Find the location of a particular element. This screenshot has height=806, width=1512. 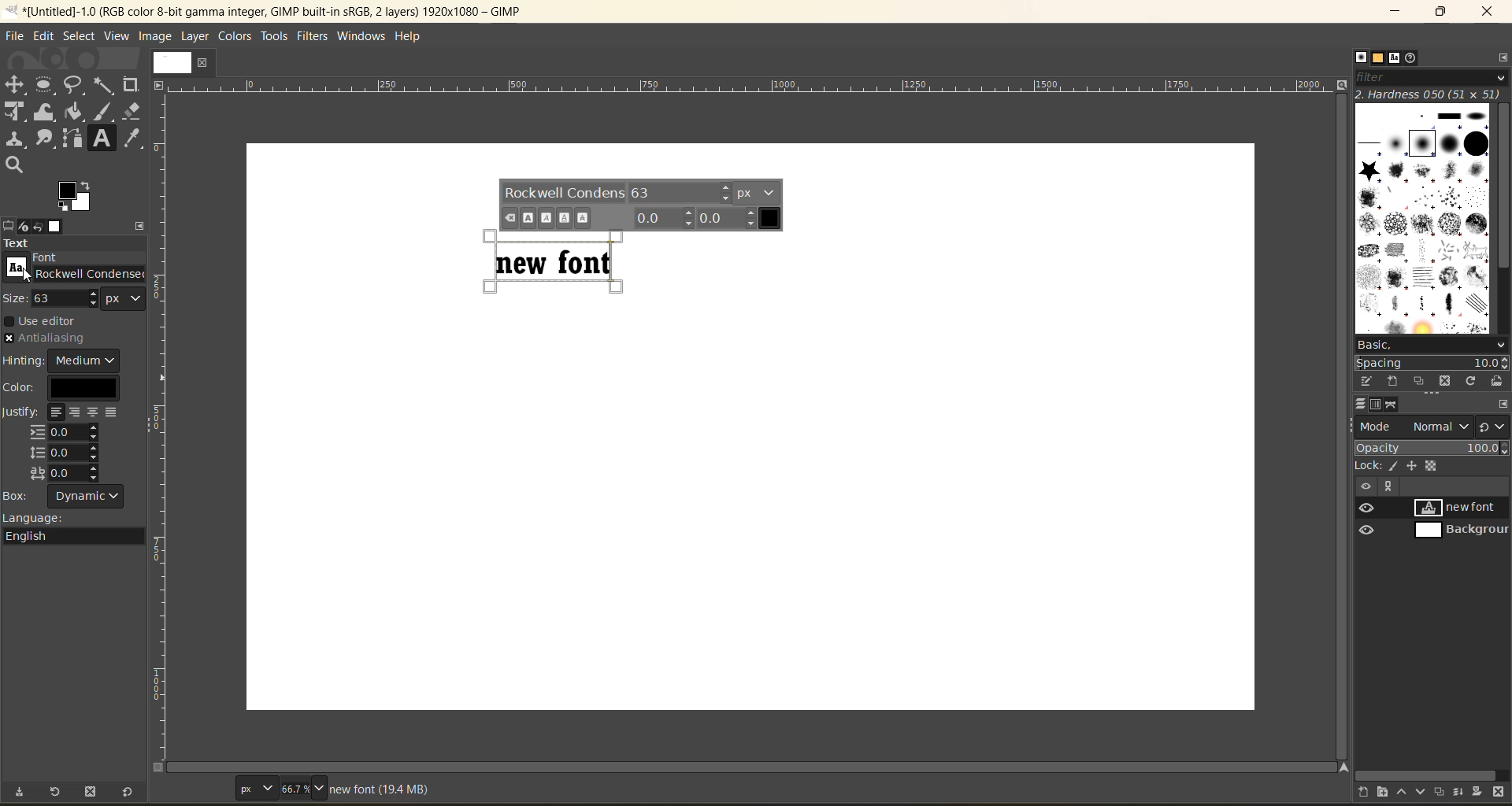

duplicate this brush is located at coordinates (1420, 380).